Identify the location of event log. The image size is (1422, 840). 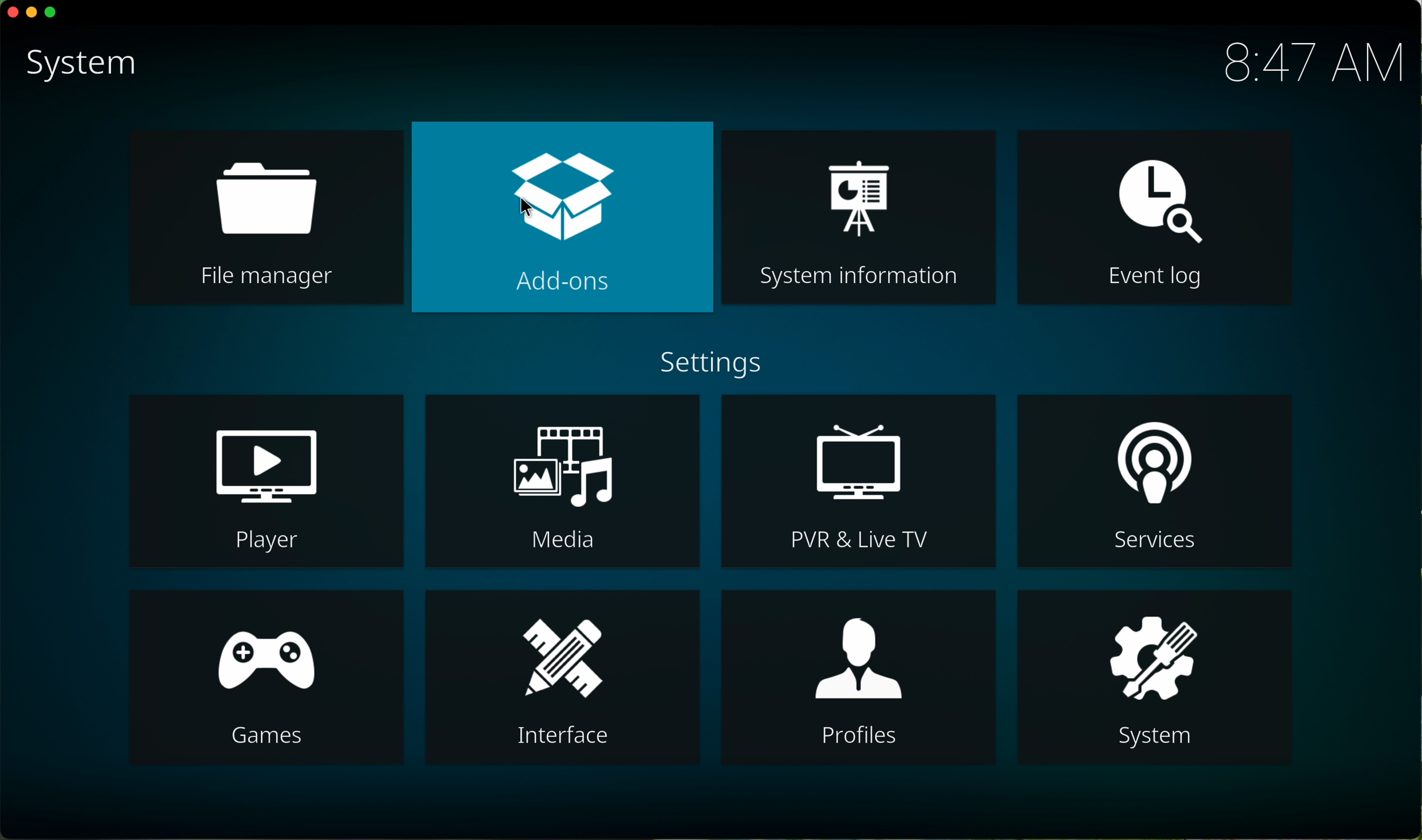
(1155, 216).